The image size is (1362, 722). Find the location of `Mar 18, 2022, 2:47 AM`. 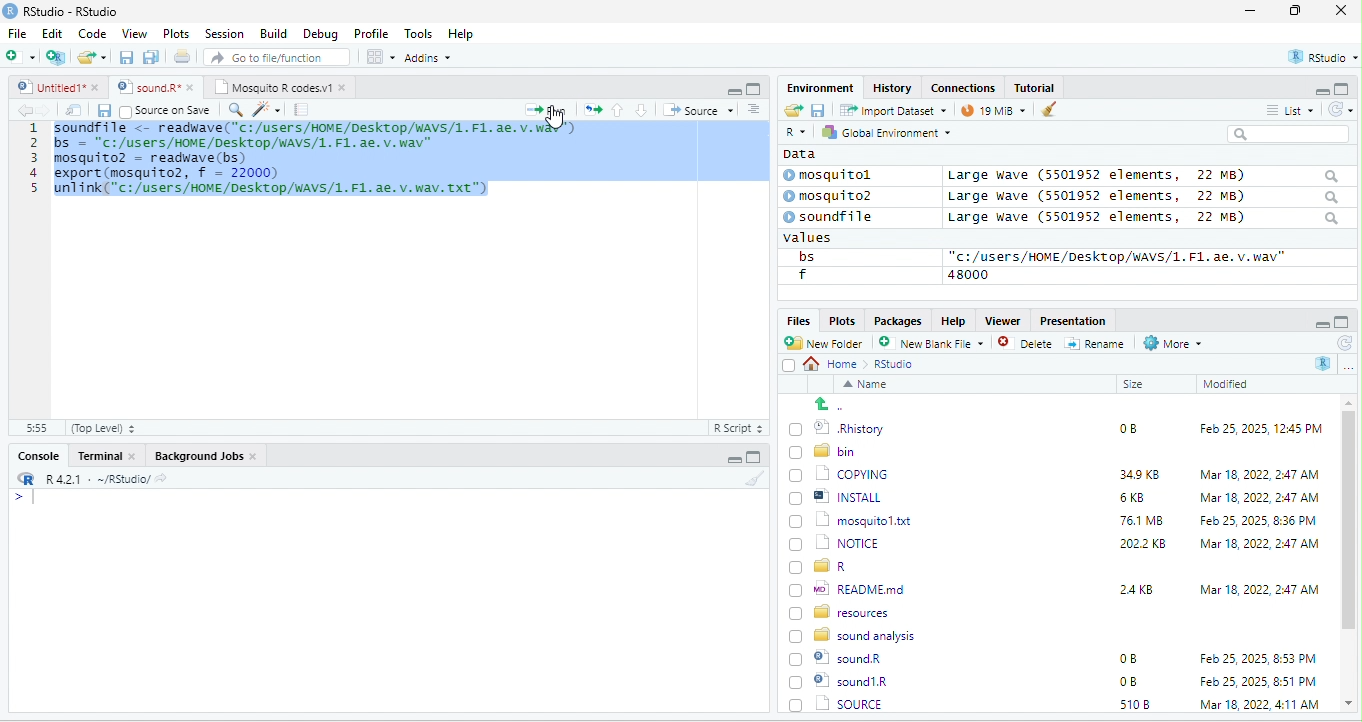

Mar 18, 2022, 2:47 AM is located at coordinates (1254, 499).